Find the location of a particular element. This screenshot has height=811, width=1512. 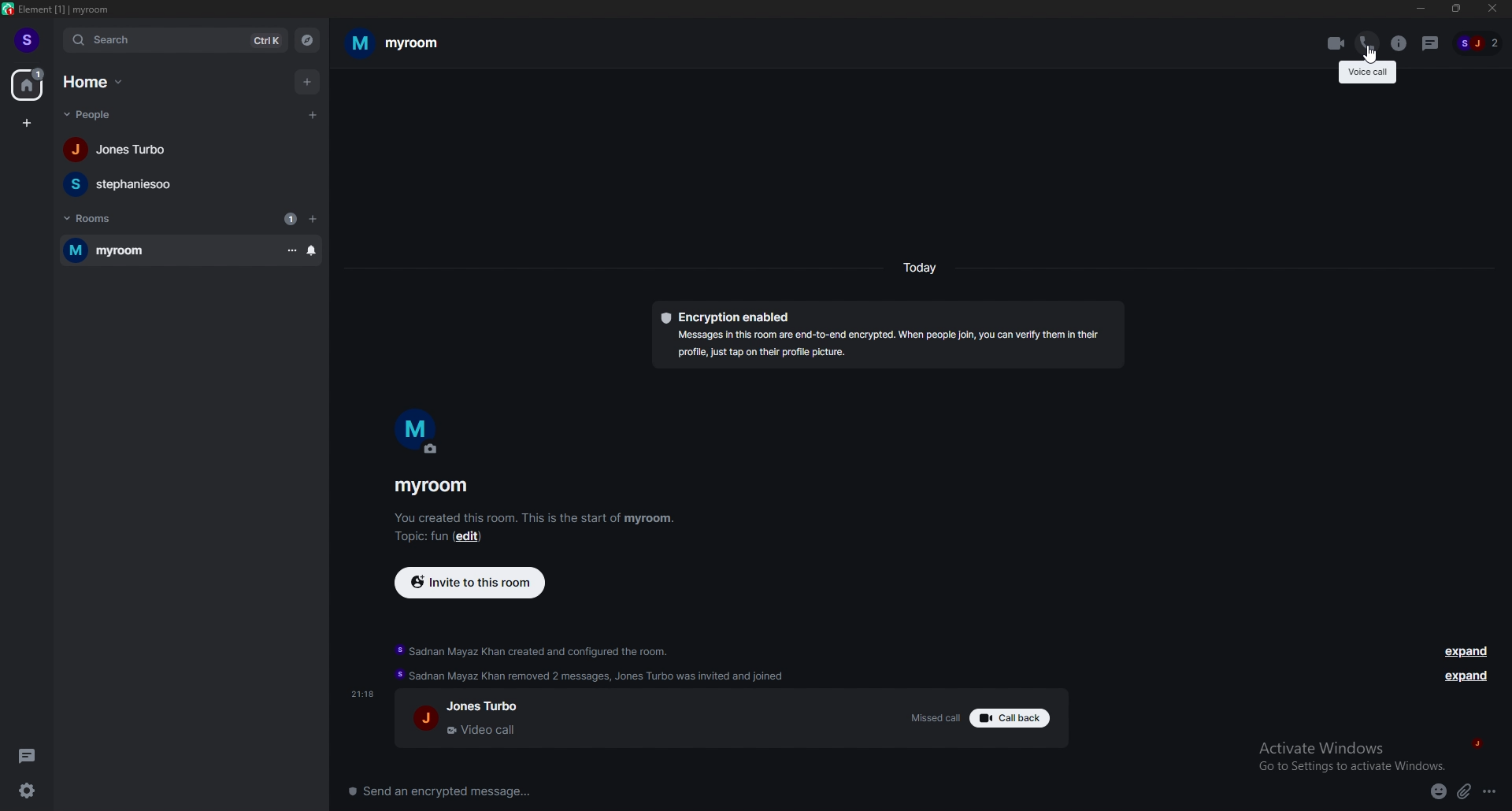

edit is located at coordinates (475, 535).